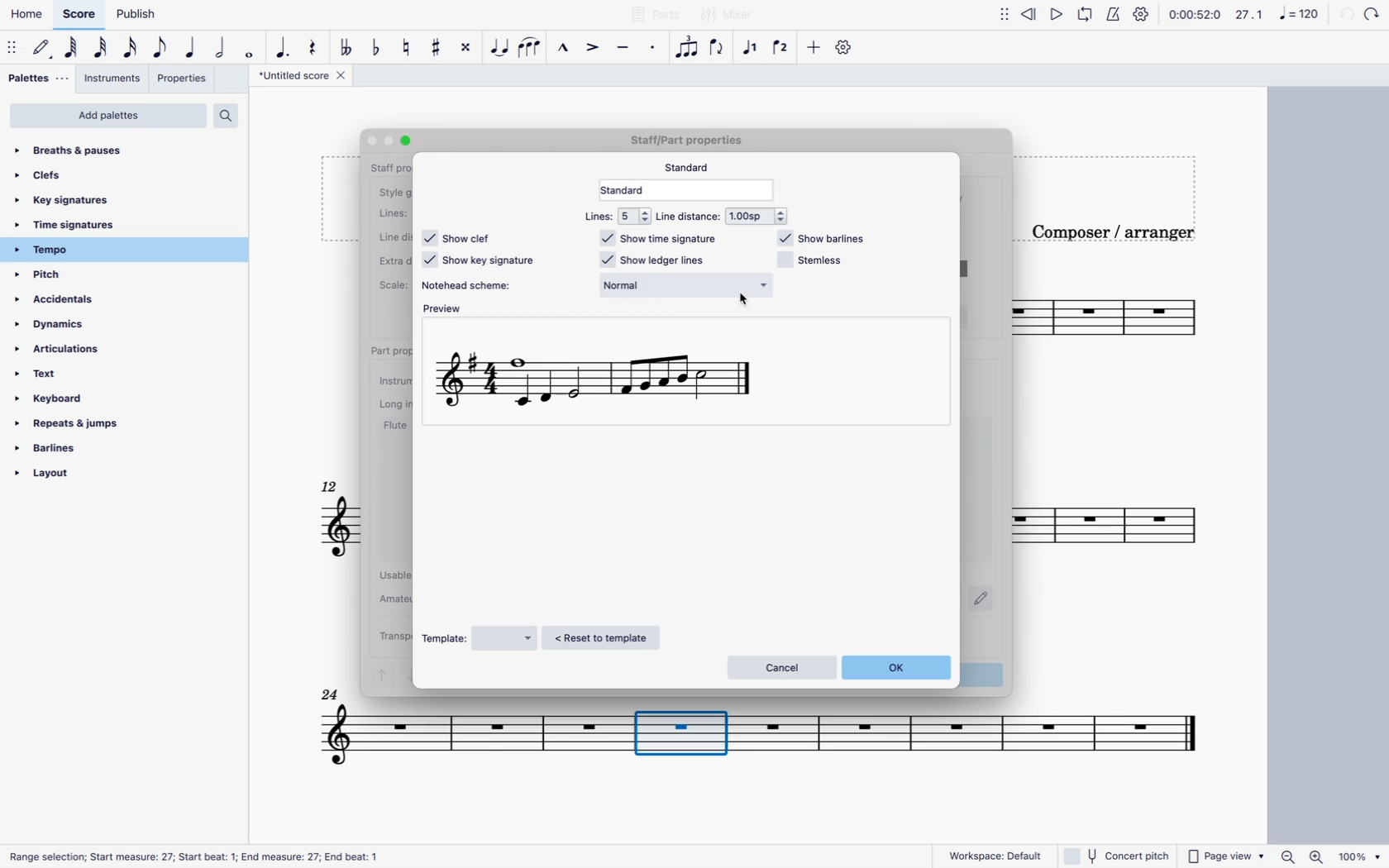 The width and height of the screenshot is (1389, 868). Describe the element at coordinates (81, 13) in the screenshot. I see `score` at that location.